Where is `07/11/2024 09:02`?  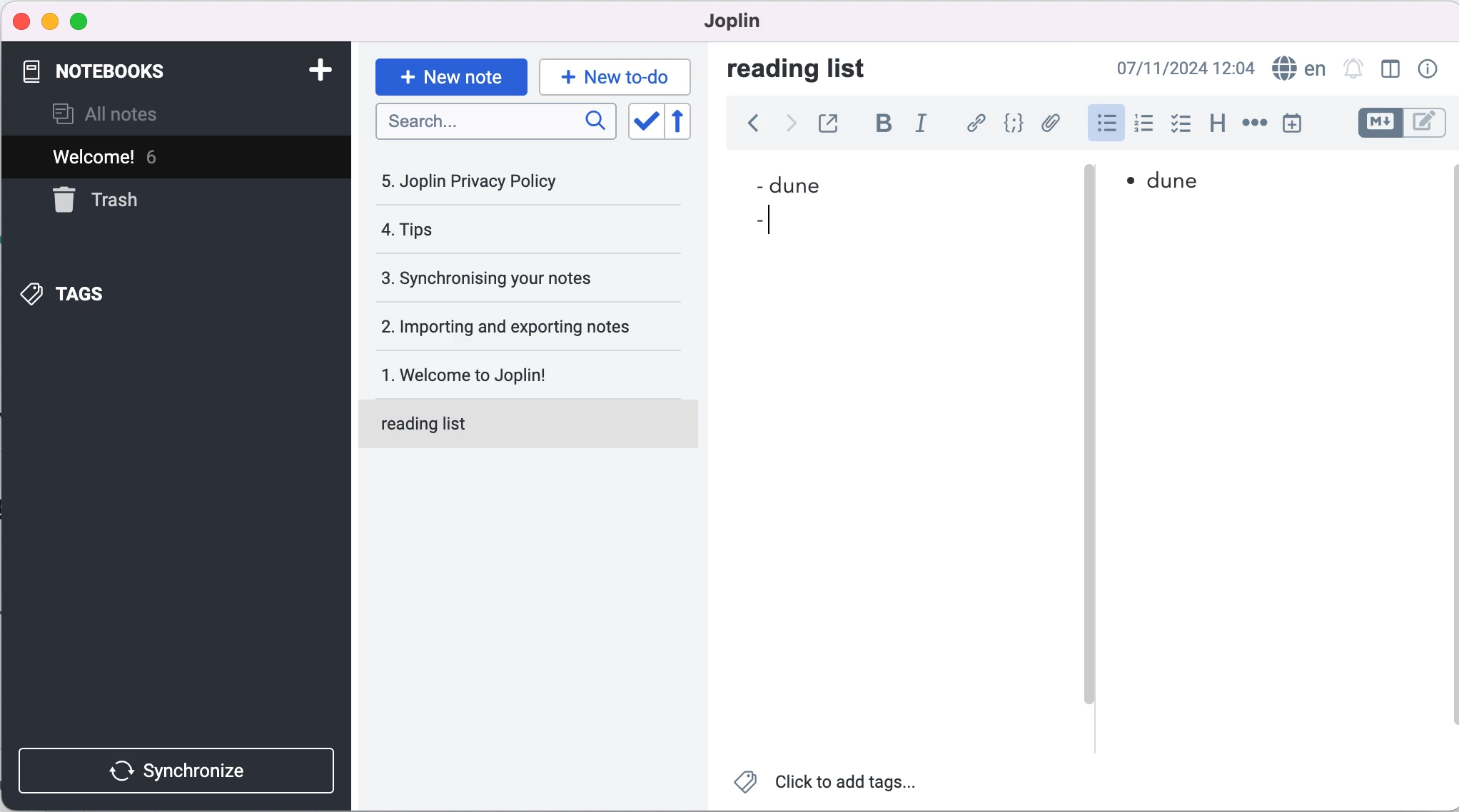
07/11/2024 09:02 is located at coordinates (1180, 68).